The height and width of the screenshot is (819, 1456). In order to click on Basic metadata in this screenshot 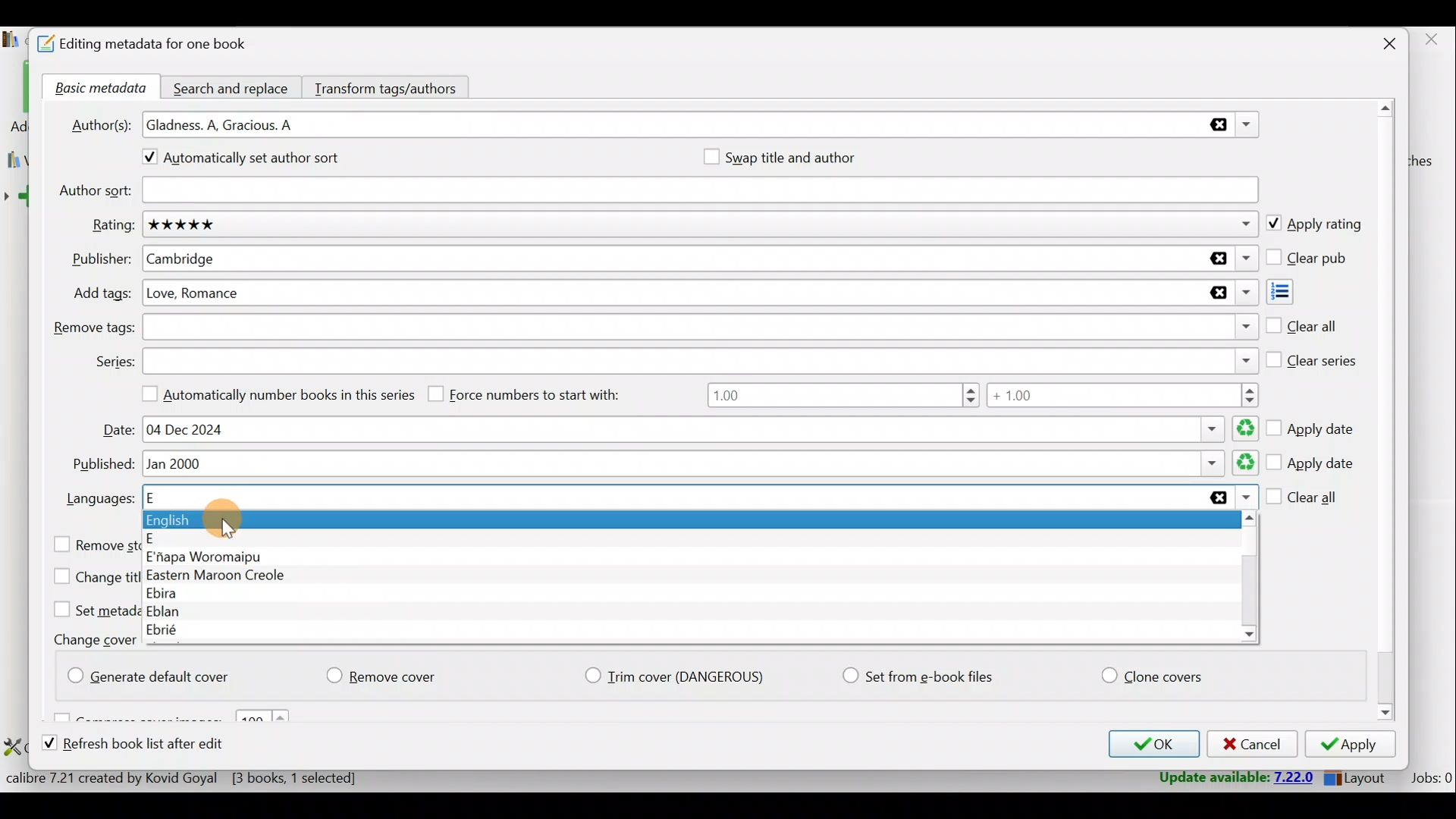, I will do `click(96, 89)`.